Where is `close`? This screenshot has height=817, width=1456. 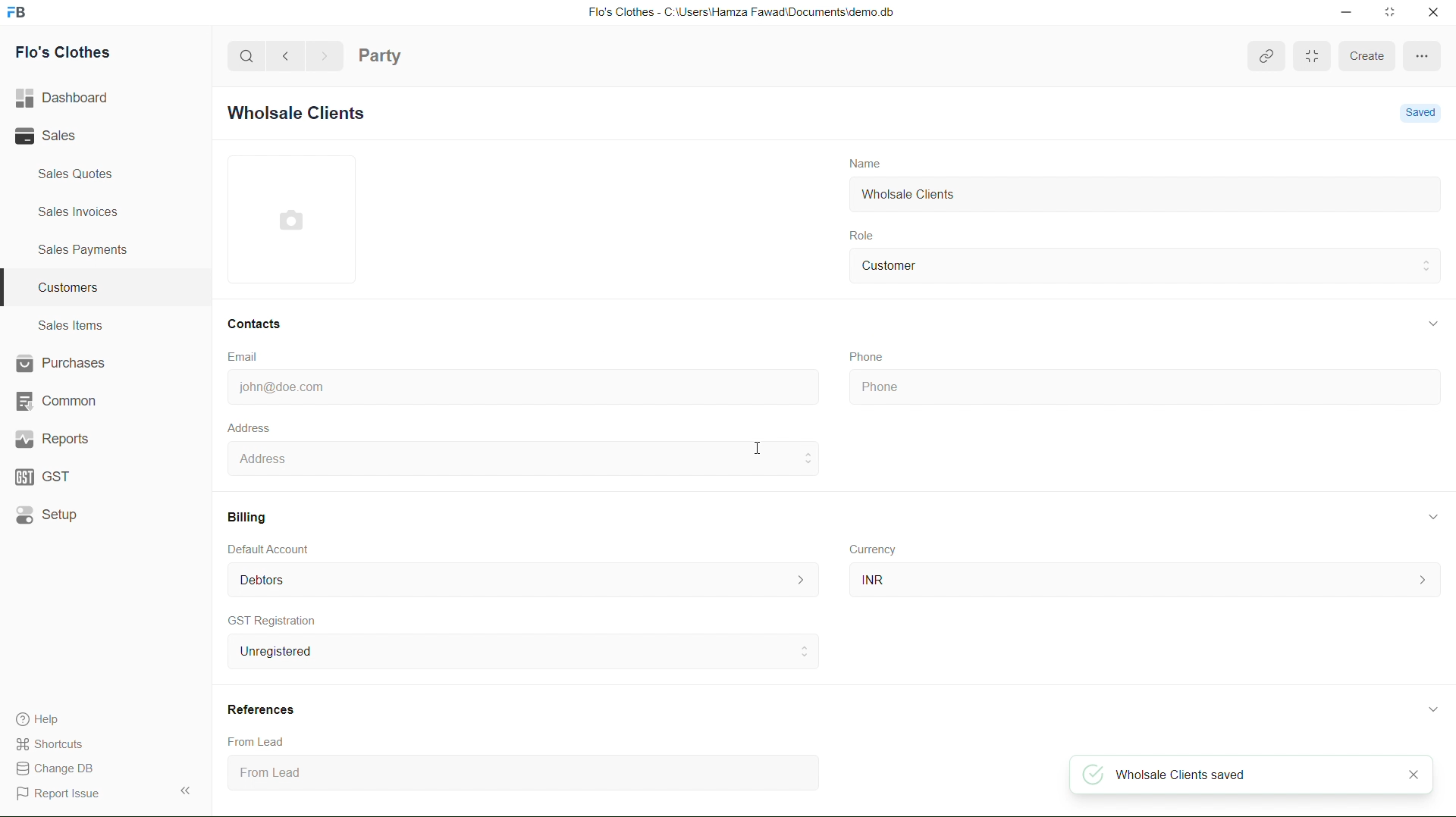 close is located at coordinates (1429, 13).